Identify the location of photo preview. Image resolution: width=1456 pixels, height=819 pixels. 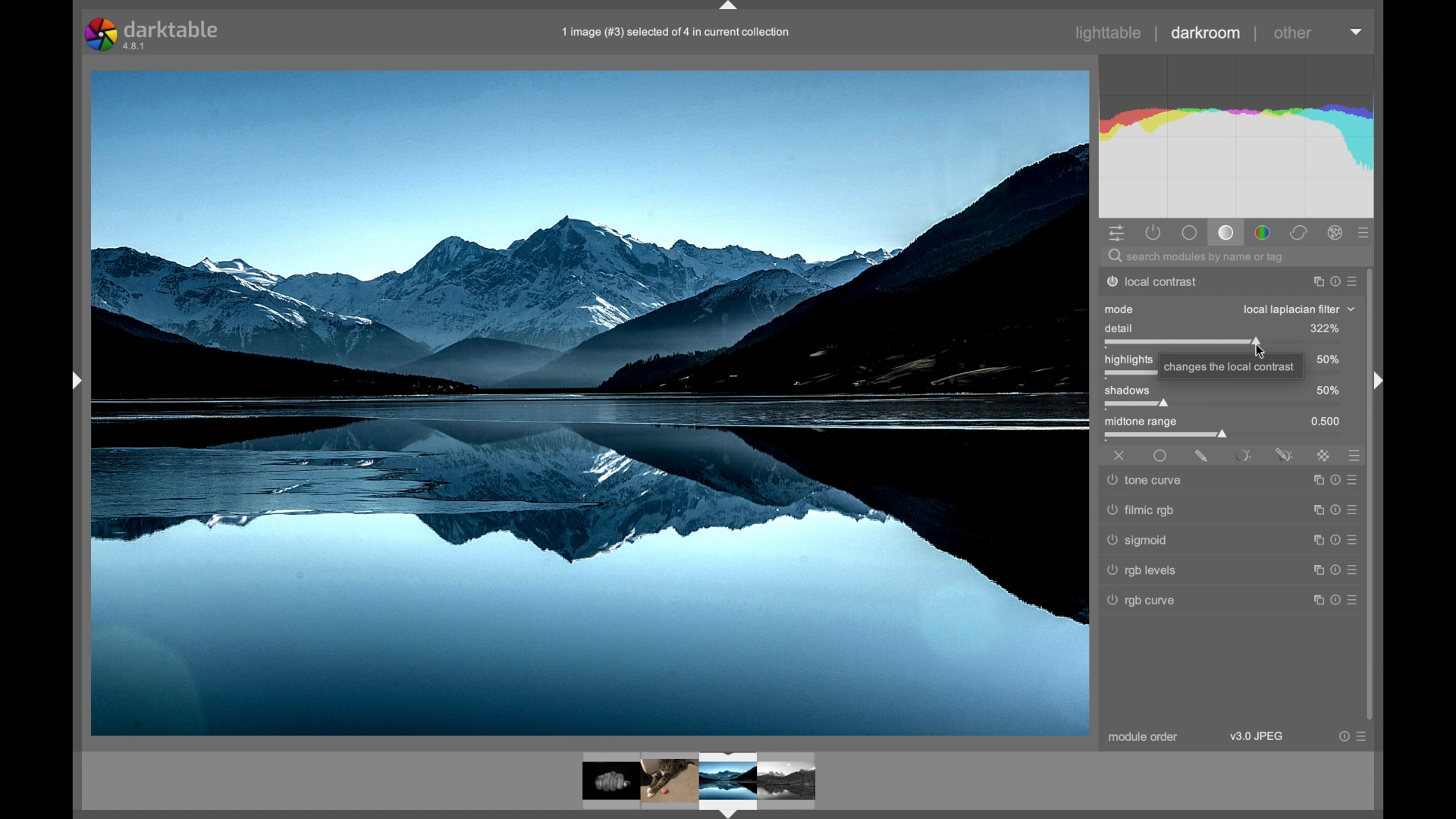
(700, 783).